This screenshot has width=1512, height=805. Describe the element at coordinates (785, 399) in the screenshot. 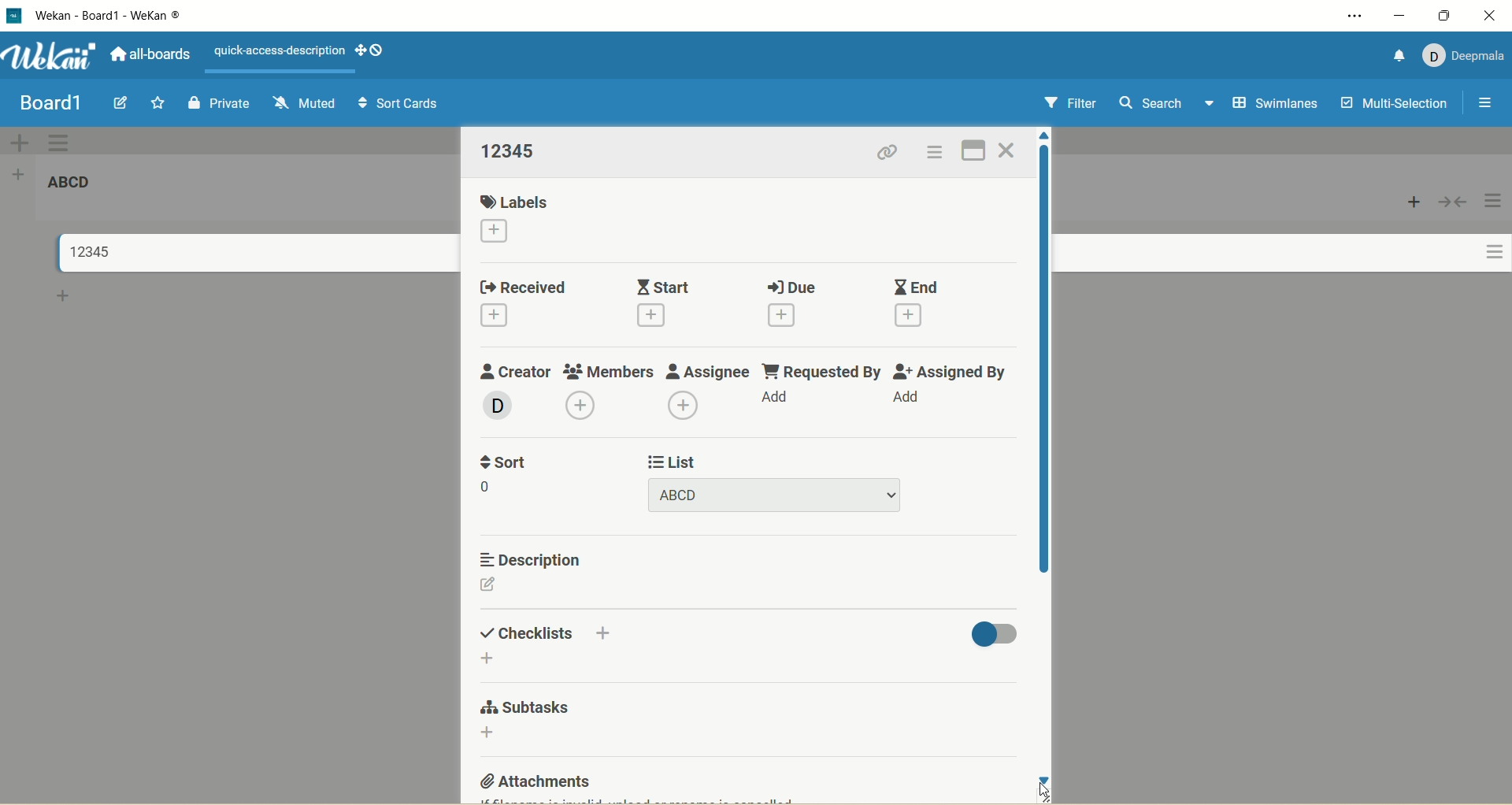

I see `add` at that location.